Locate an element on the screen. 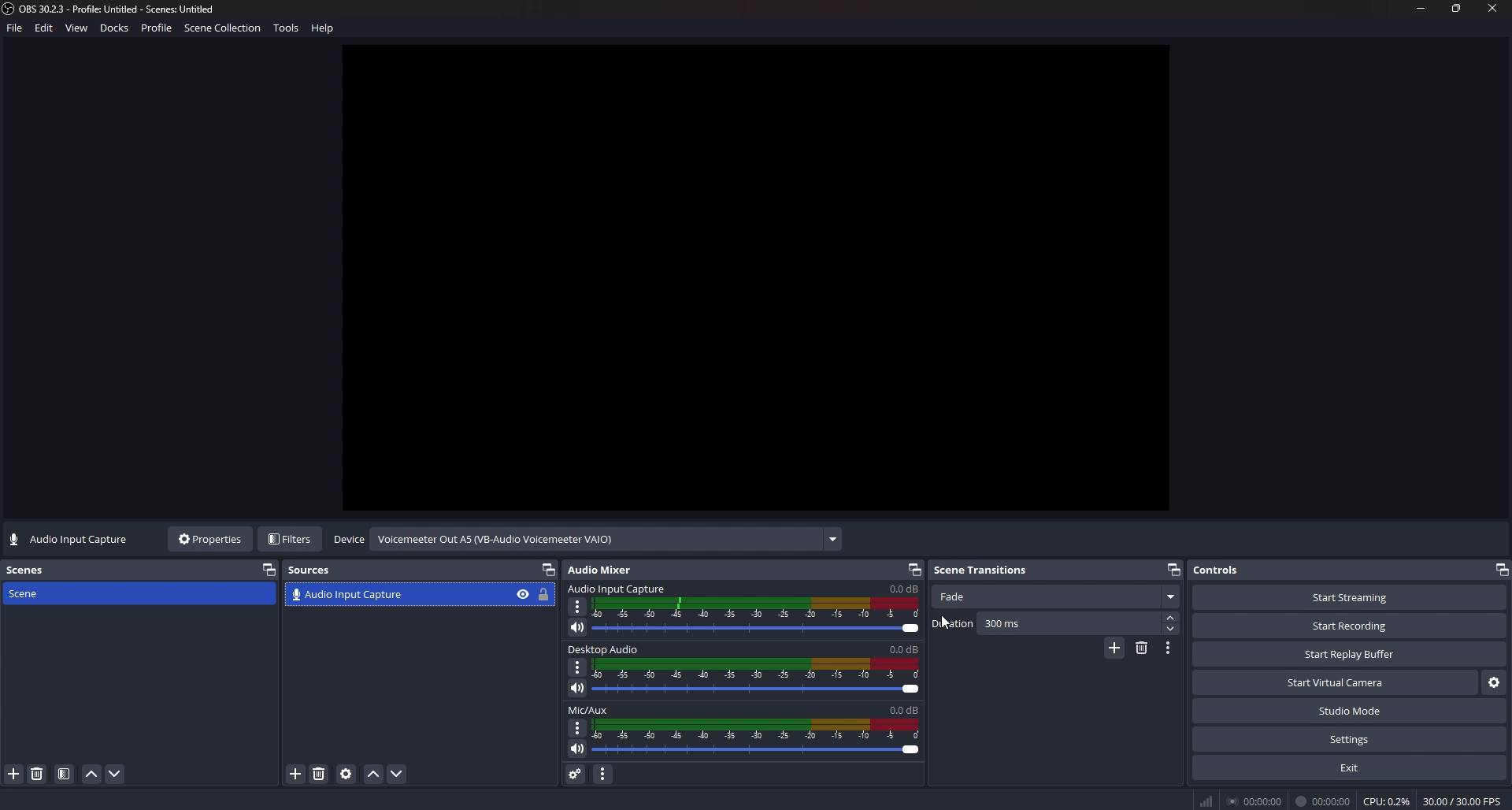 The height and width of the screenshot is (810, 1512). Edit is located at coordinates (45, 31).